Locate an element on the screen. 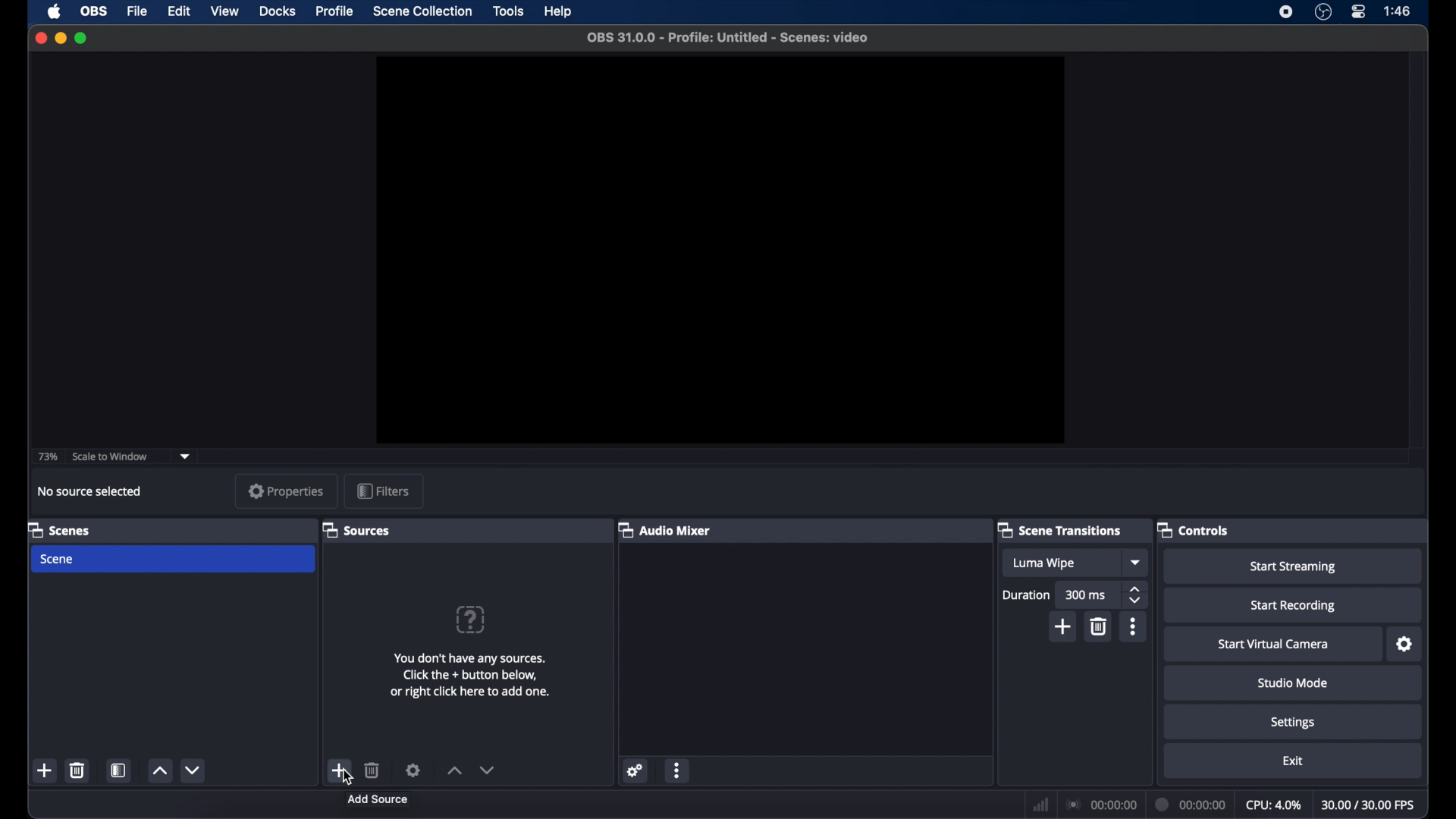 The width and height of the screenshot is (1456, 819). scene collection is located at coordinates (424, 11).